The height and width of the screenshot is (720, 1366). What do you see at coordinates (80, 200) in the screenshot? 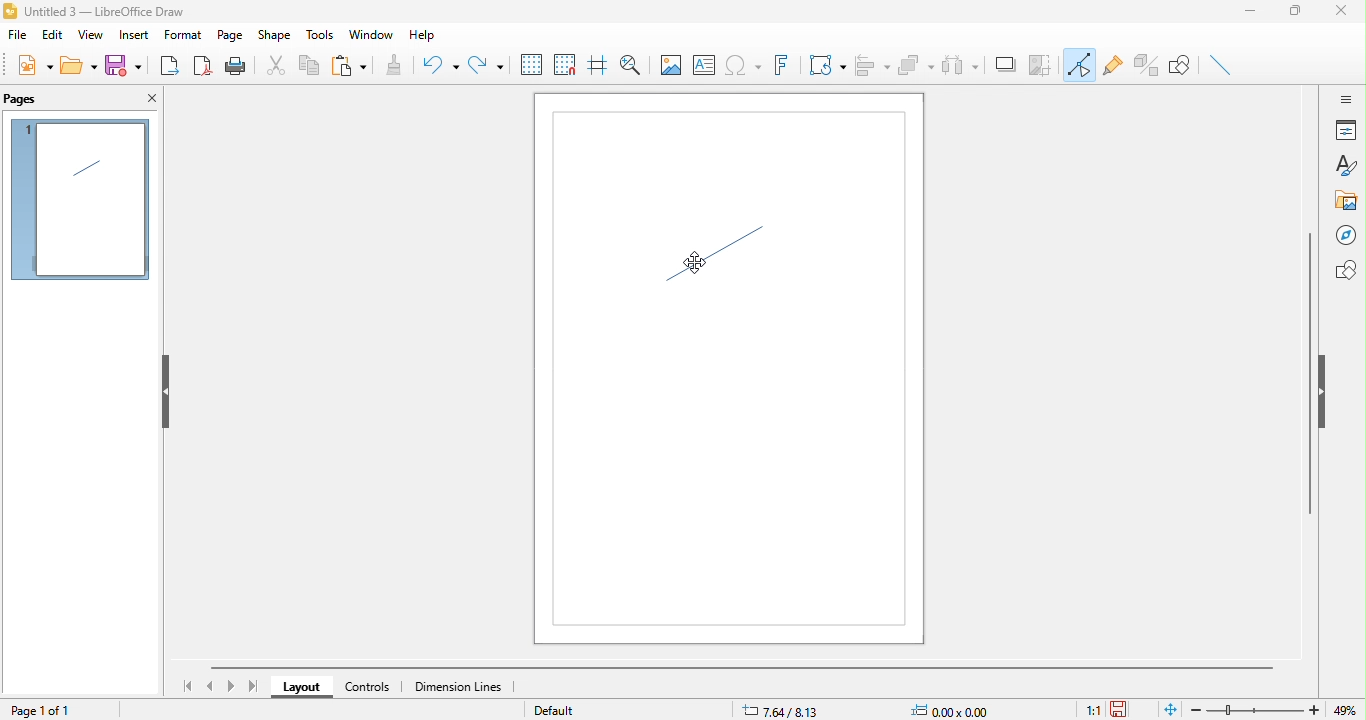
I see `page 1` at bounding box center [80, 200].